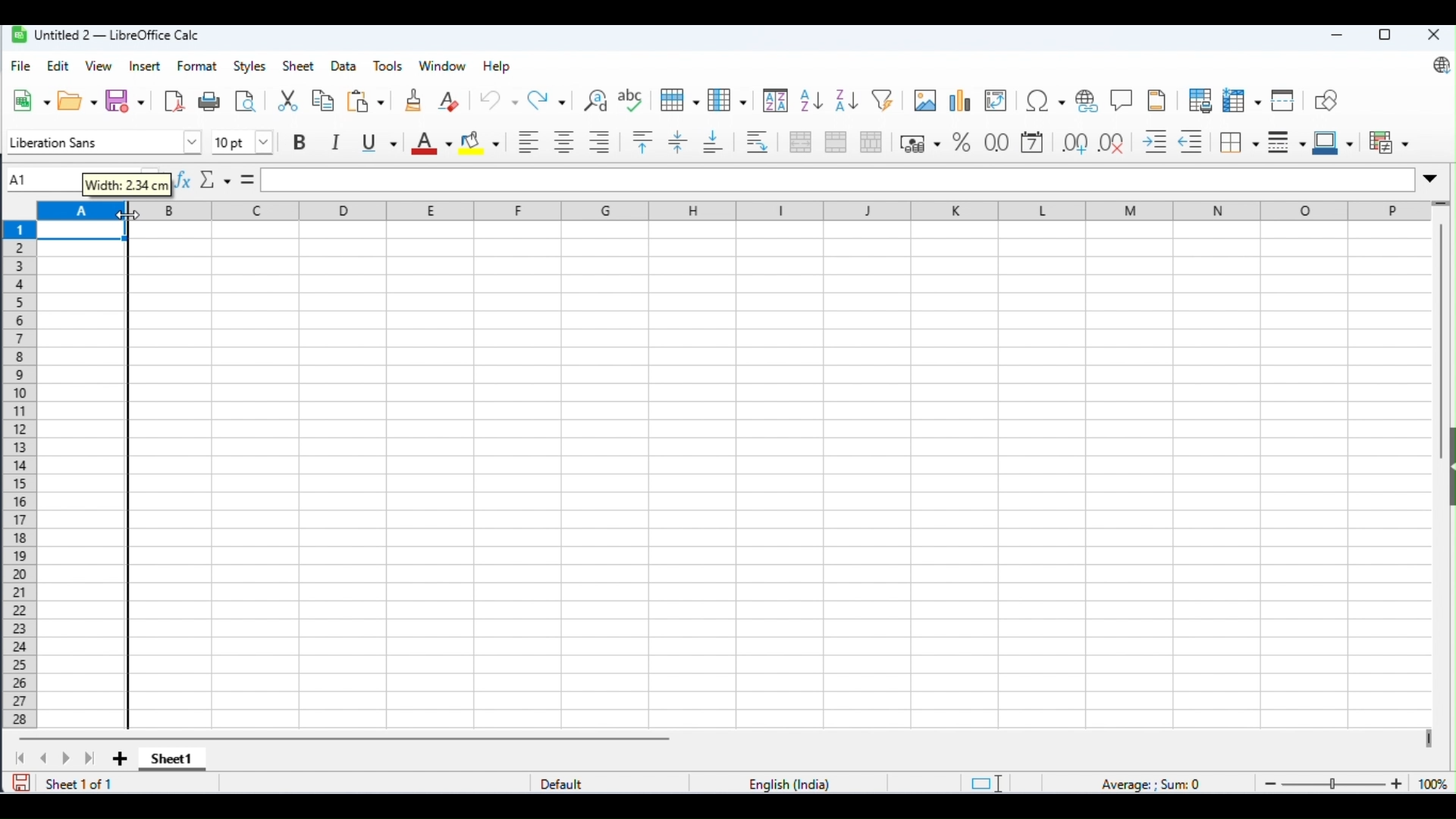 The image size is (1456, 819). Describe the element at coordinates (215, 178) in the screenshot. I see `select function` at that location.